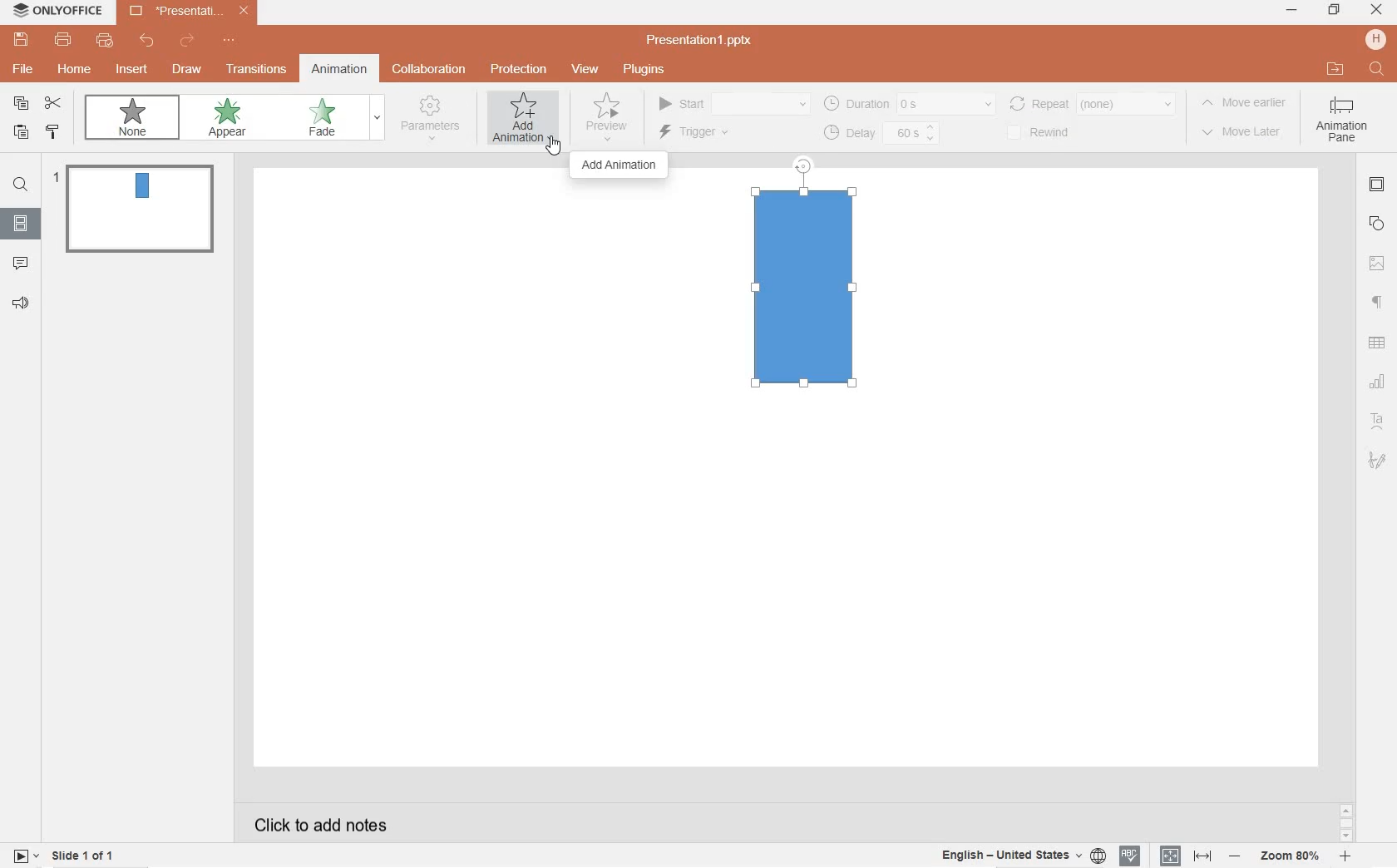 Image resolution: width=1397 pixels, height=868 pixels. I want to click on trigger, so click(707, 134).